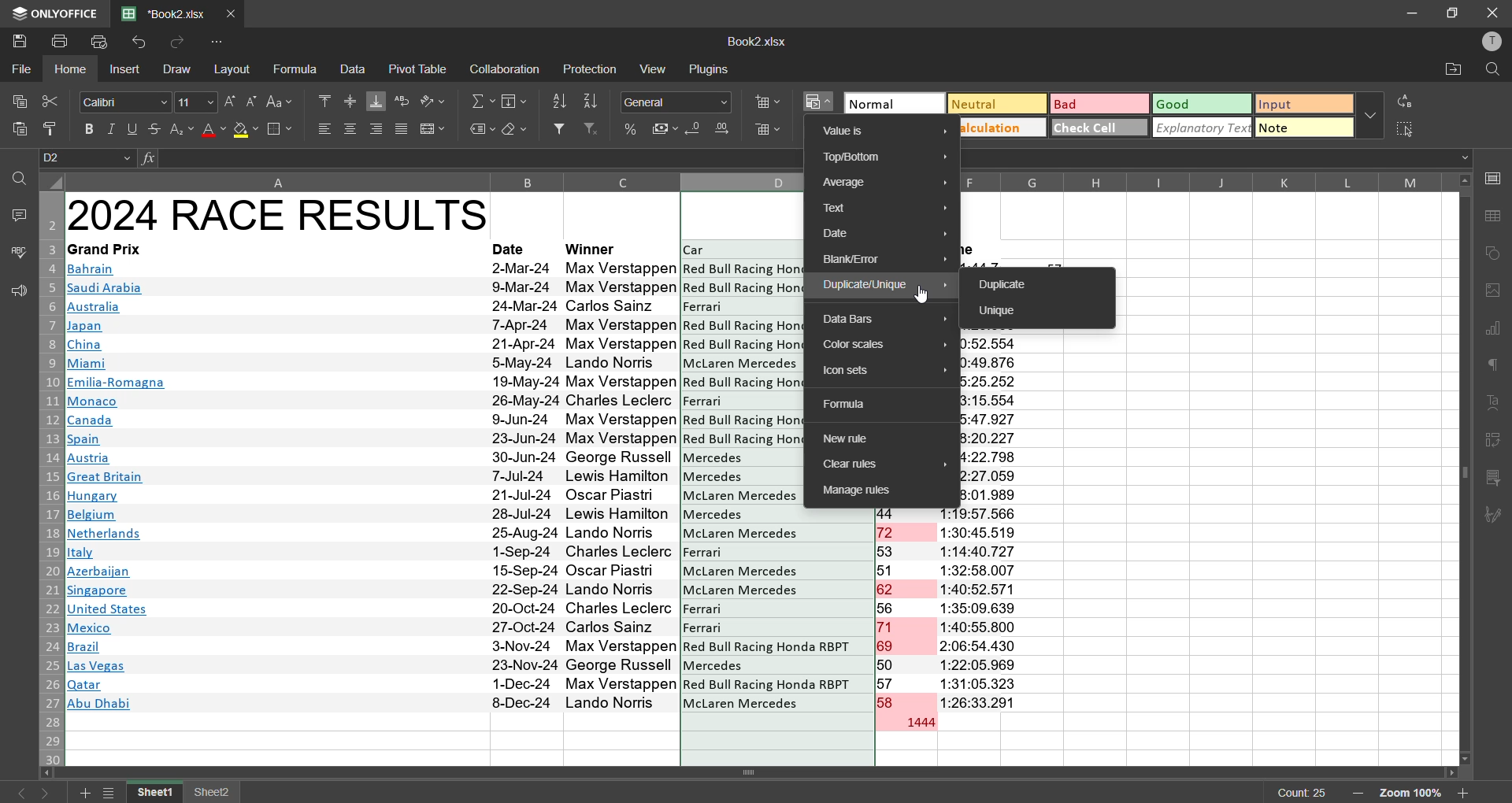  Describe the element at coordinates (280, 130) in the screenshot. I see `borders` at that location.